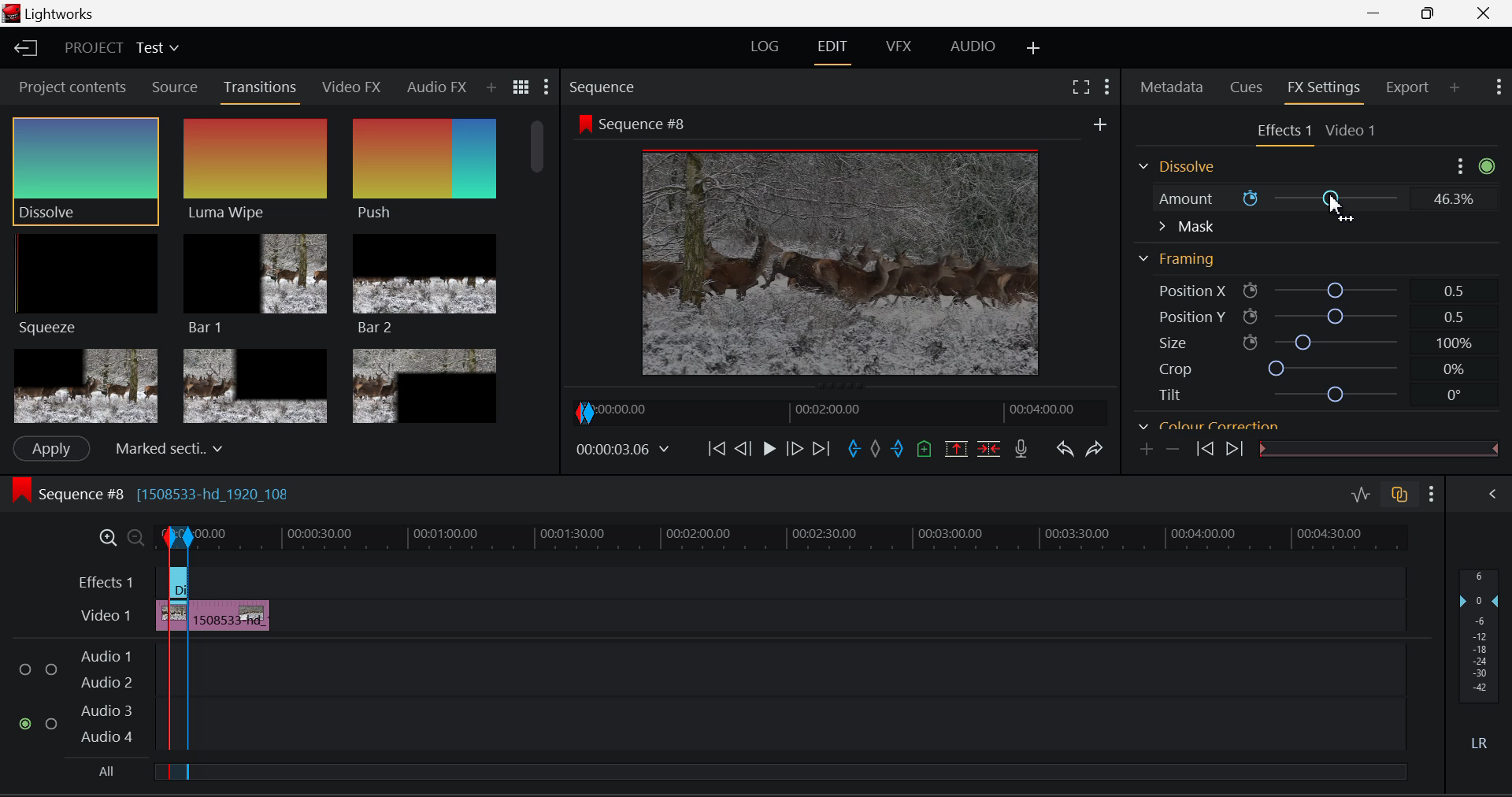 The height and width of the screenshot is (797, 1512). I want to click on Box 2, so click(255, 384).